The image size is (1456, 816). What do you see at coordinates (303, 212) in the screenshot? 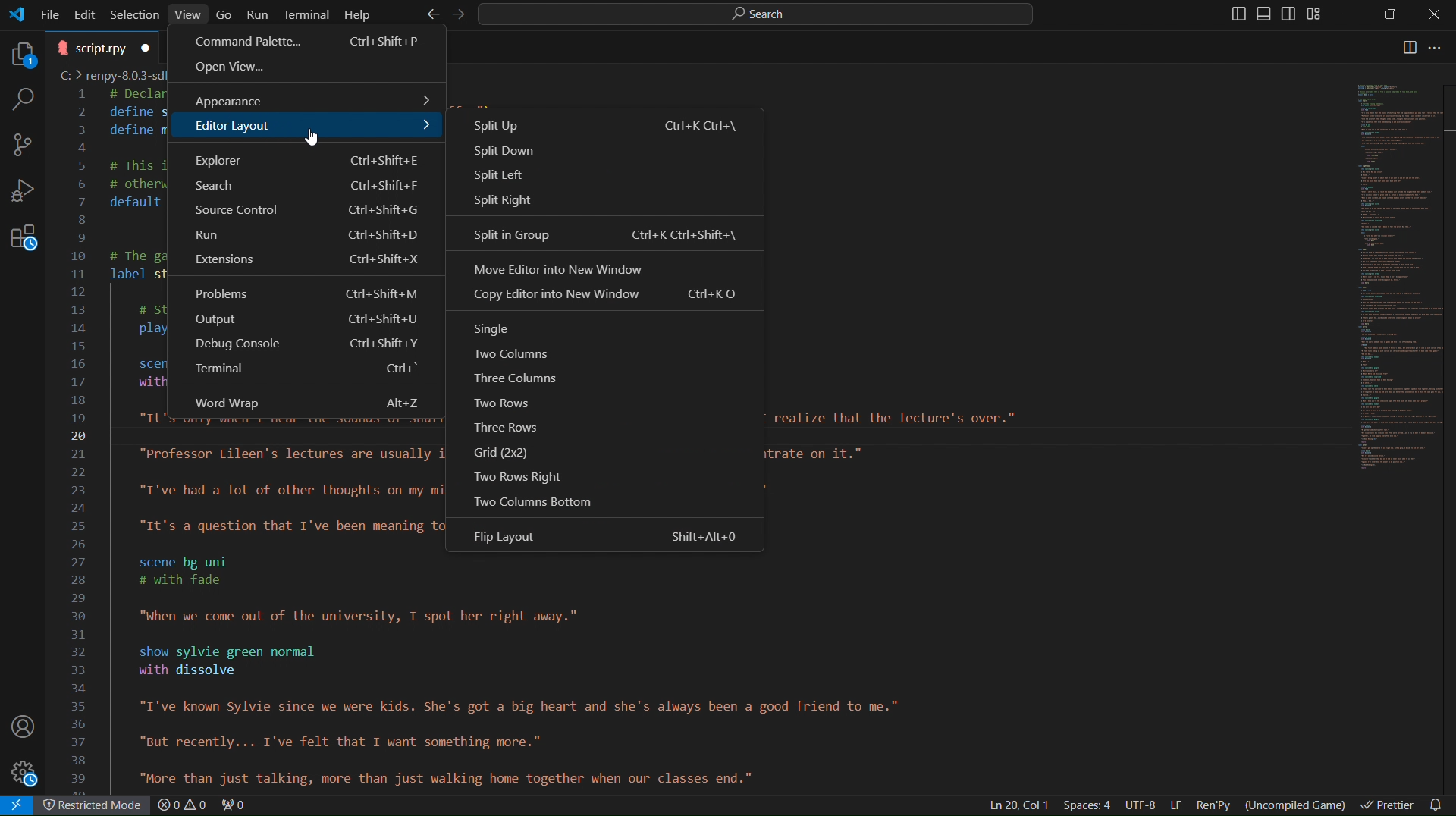
I see `Source Control   ctrl+shift+G` at bounding box center [303, 212].